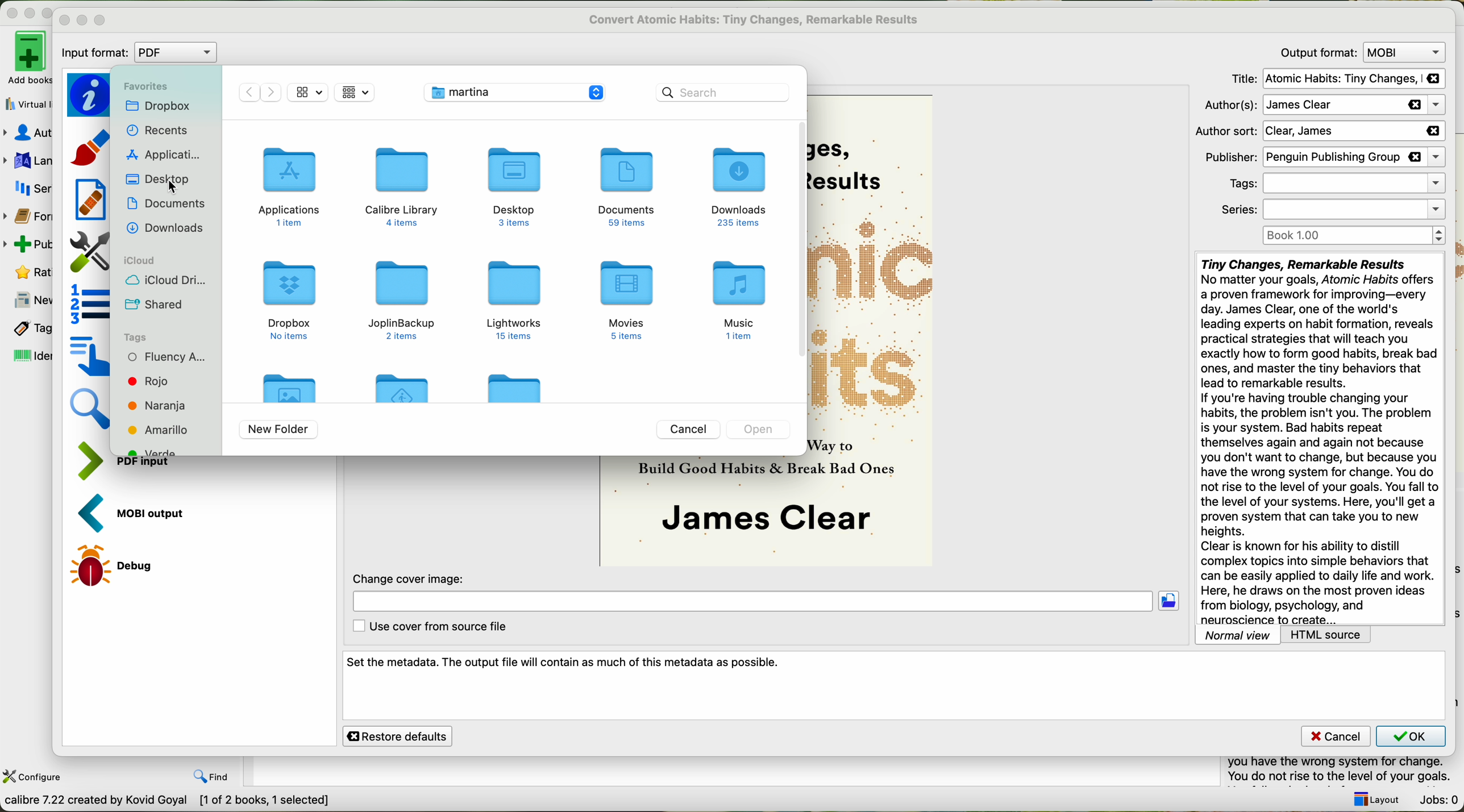 The image size is (1464, 812). I want to click on maximize, so click(101, 20).